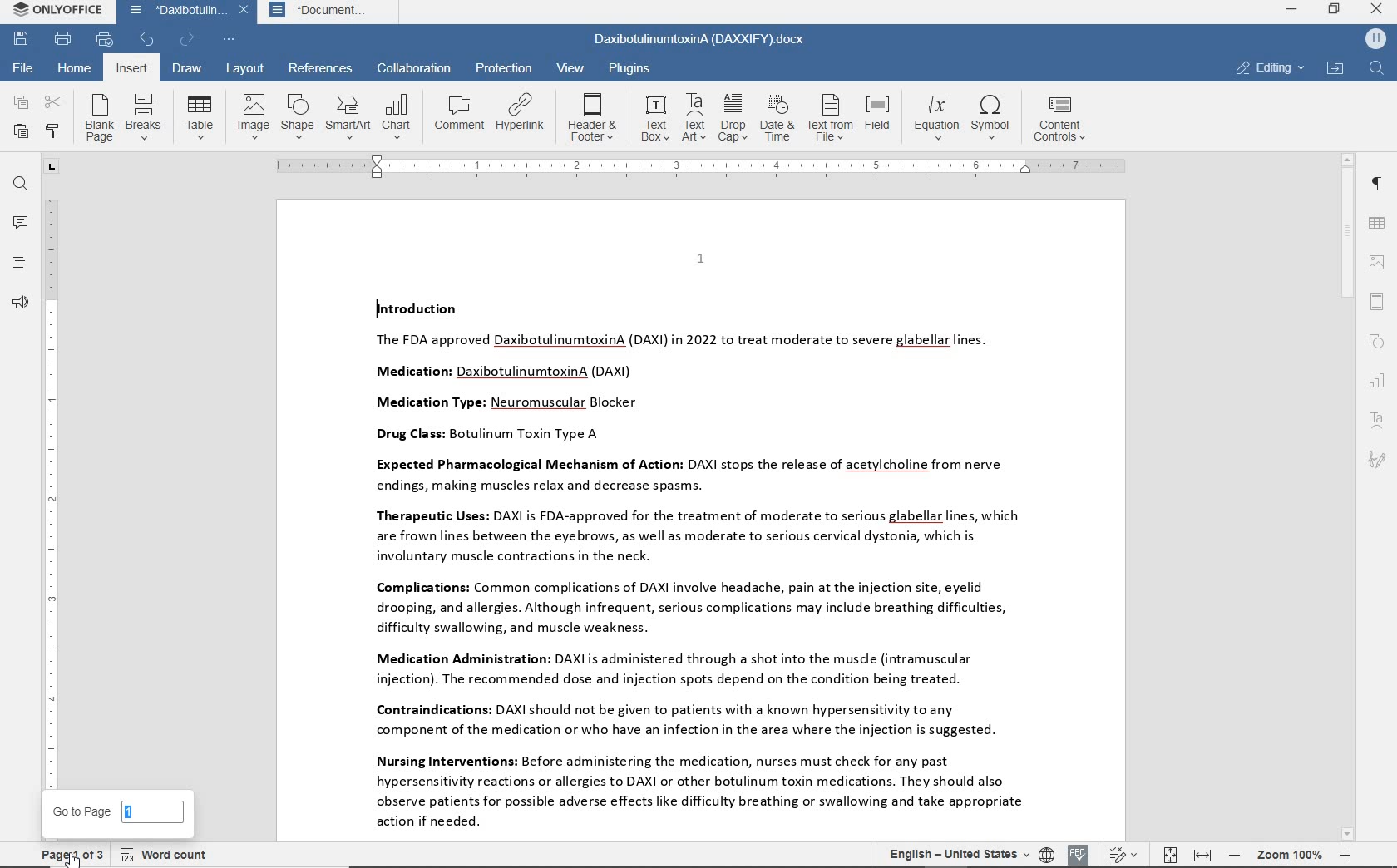 This screenshot has width=1397, height=868. Describe the element at coordinates (654, 118) in the screenshot. I see `text box` at that location.